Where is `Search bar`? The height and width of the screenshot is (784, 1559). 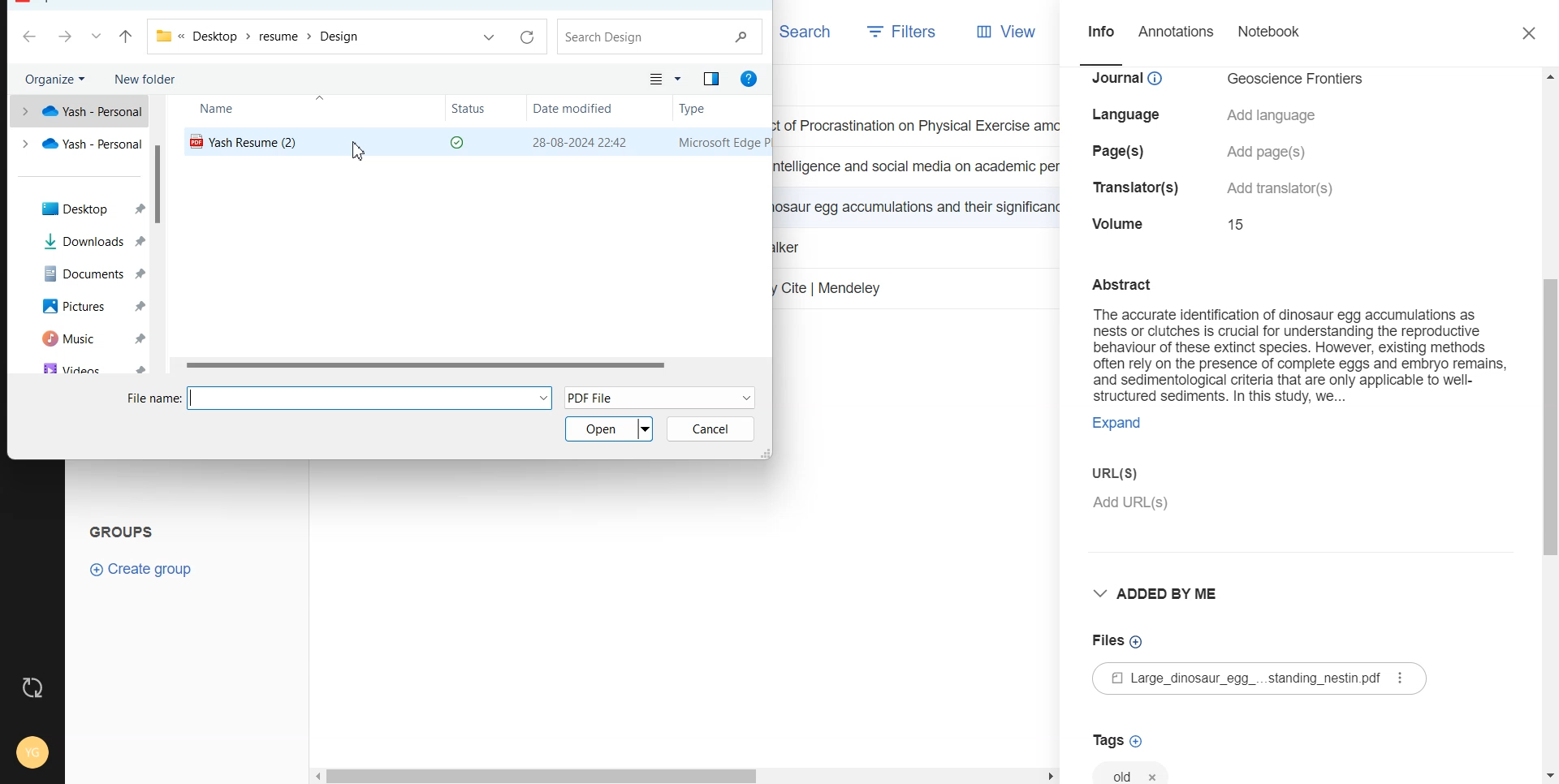 Search bar is located at coordinates (661, 37).